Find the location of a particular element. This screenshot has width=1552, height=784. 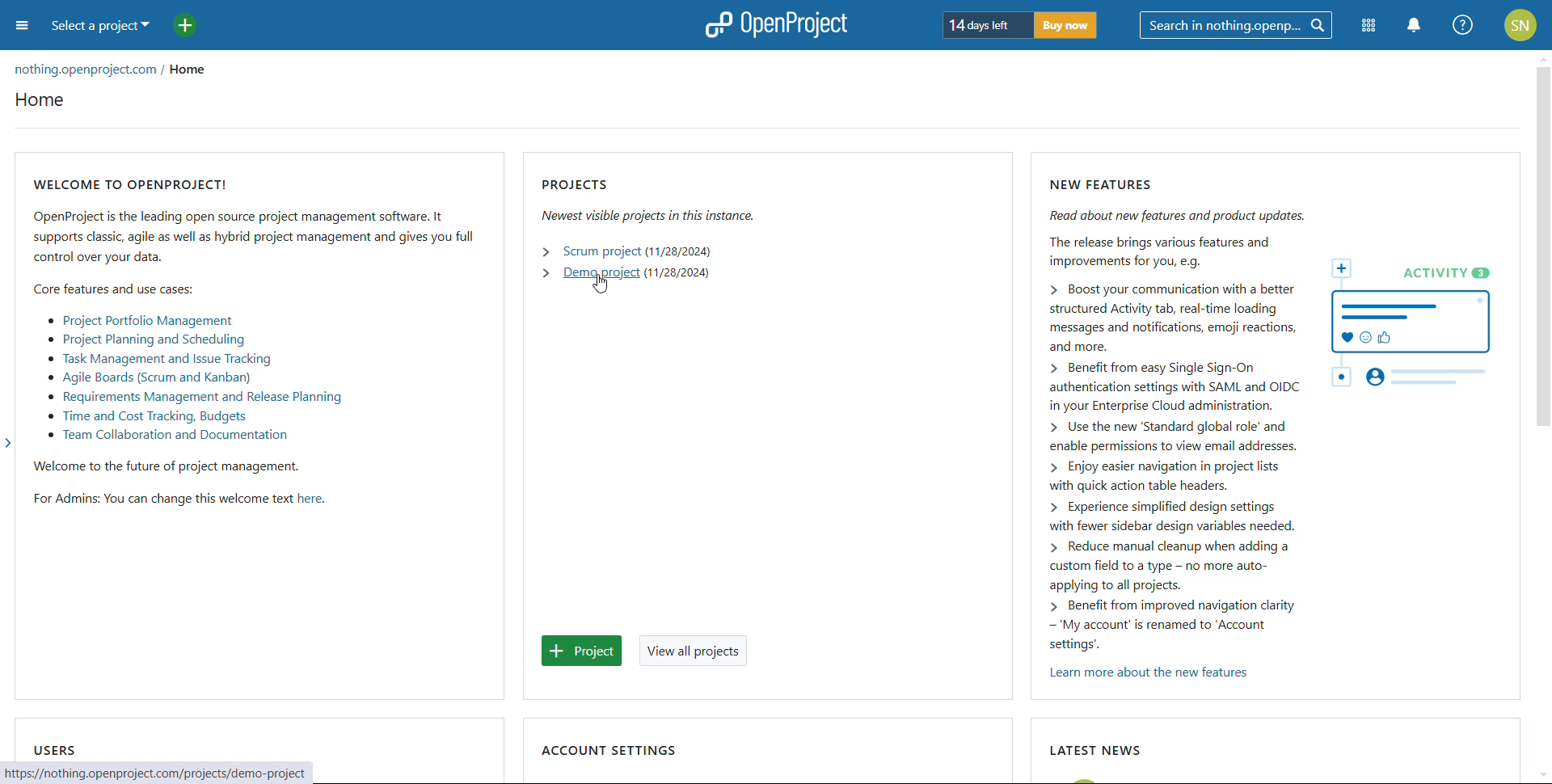

cursor is located at coordinates (601, 285).